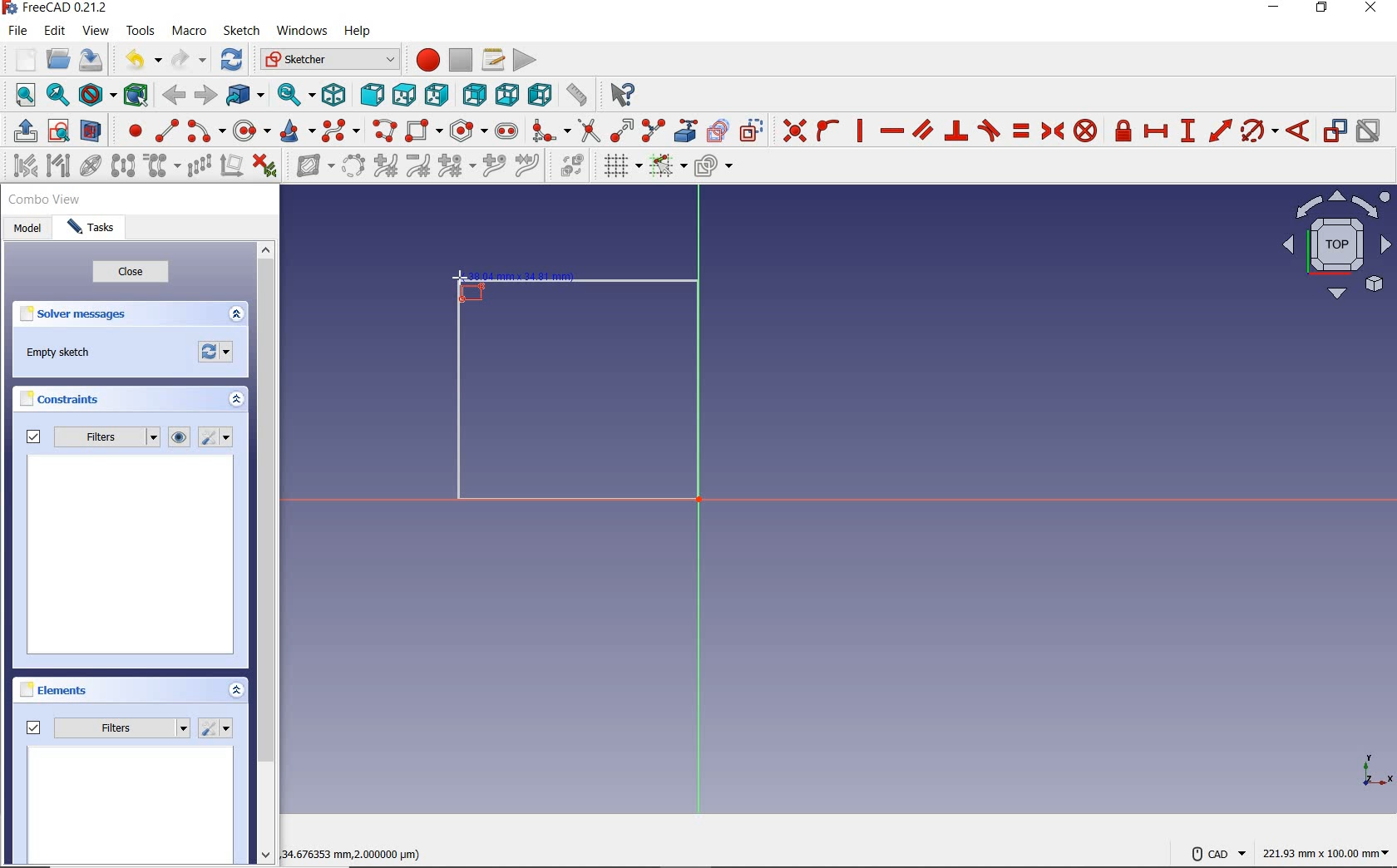 This screenshot has height=868, width=1397. Describe the element at coordinates (59, 132) in the screenshot. I see `view sketch` at that location.